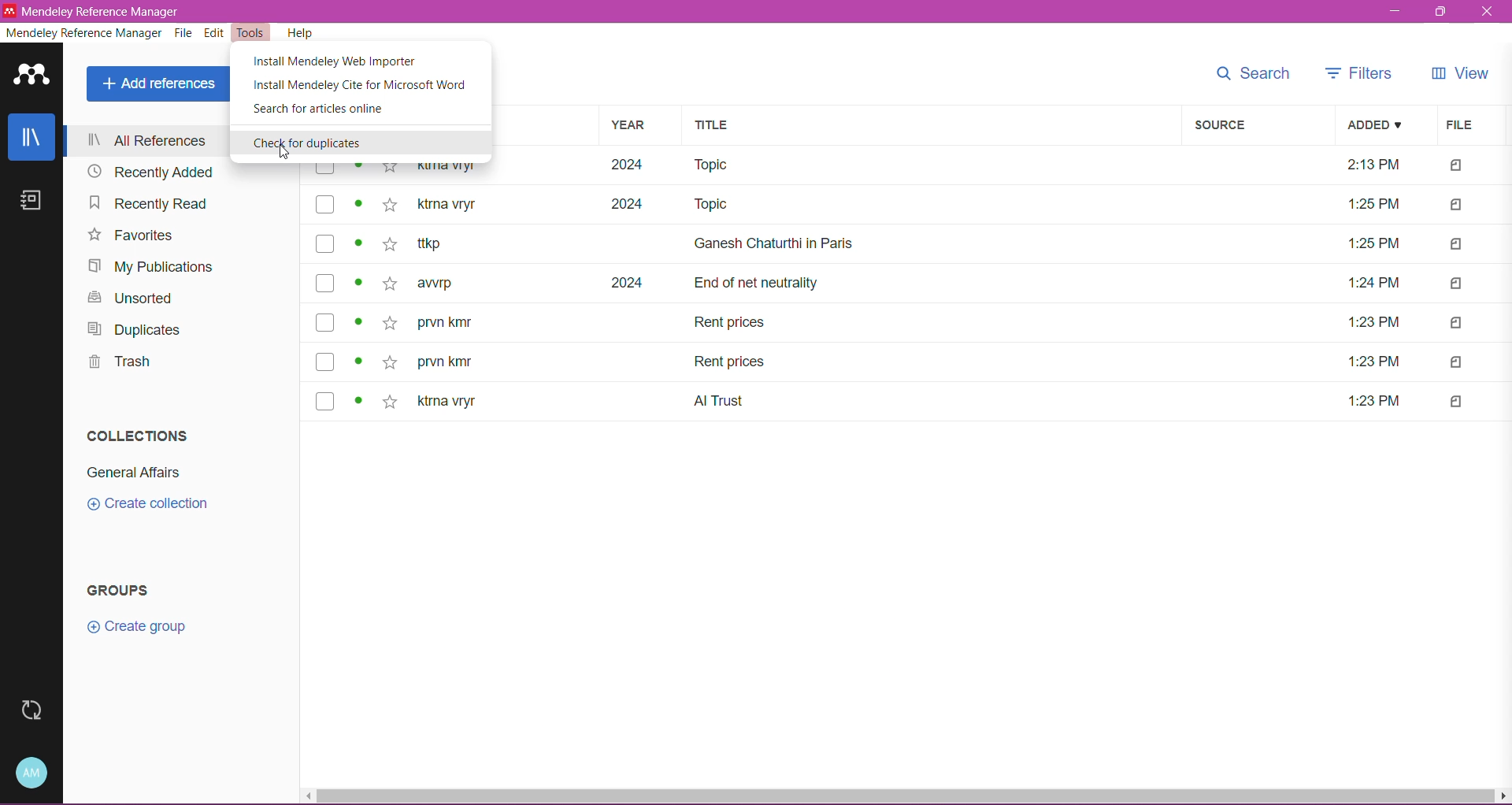  I want to click on time, so click(1373, 205).